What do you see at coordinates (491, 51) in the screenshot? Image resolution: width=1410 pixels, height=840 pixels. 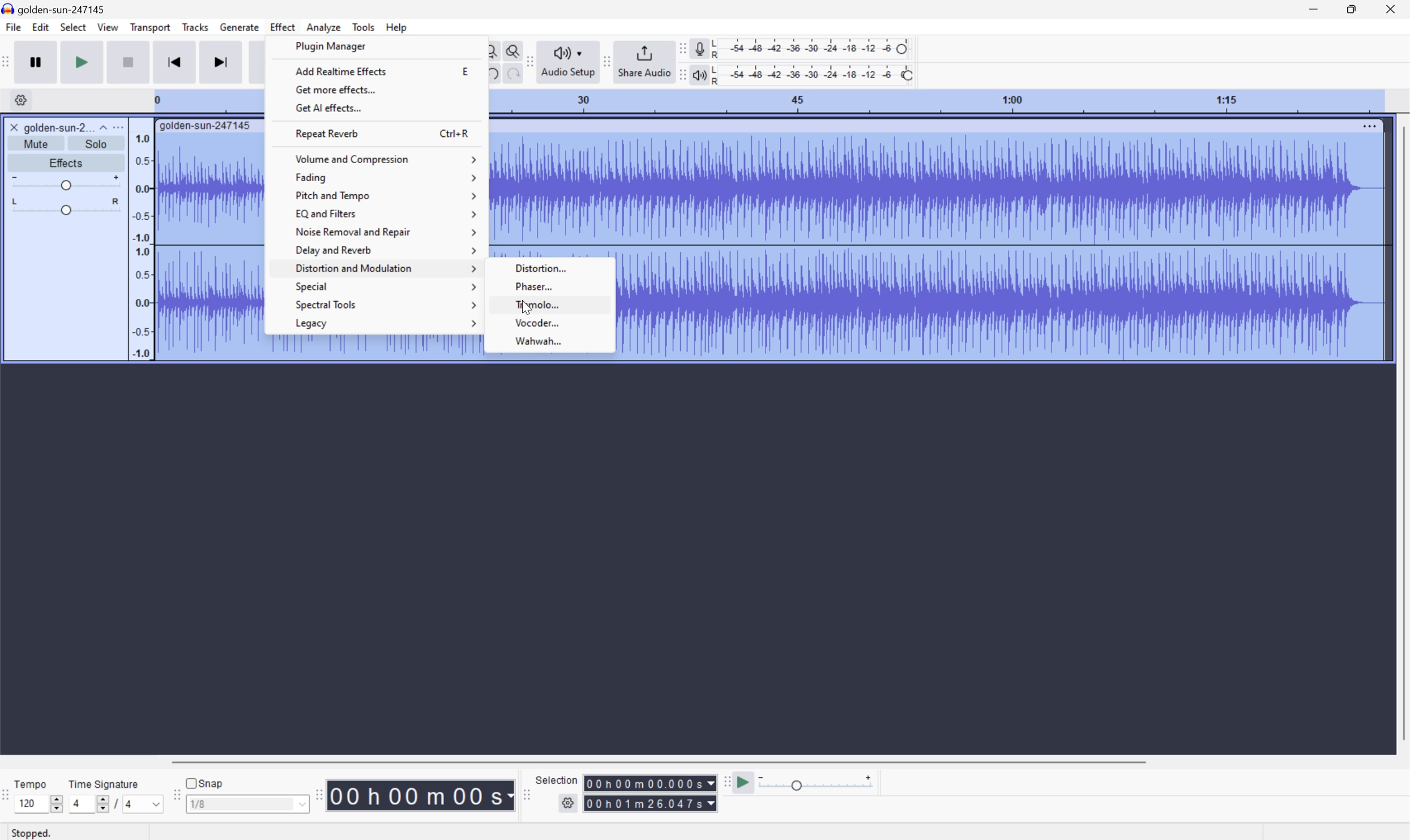 I see `Fit project to width` at bounding box center [491, 51].